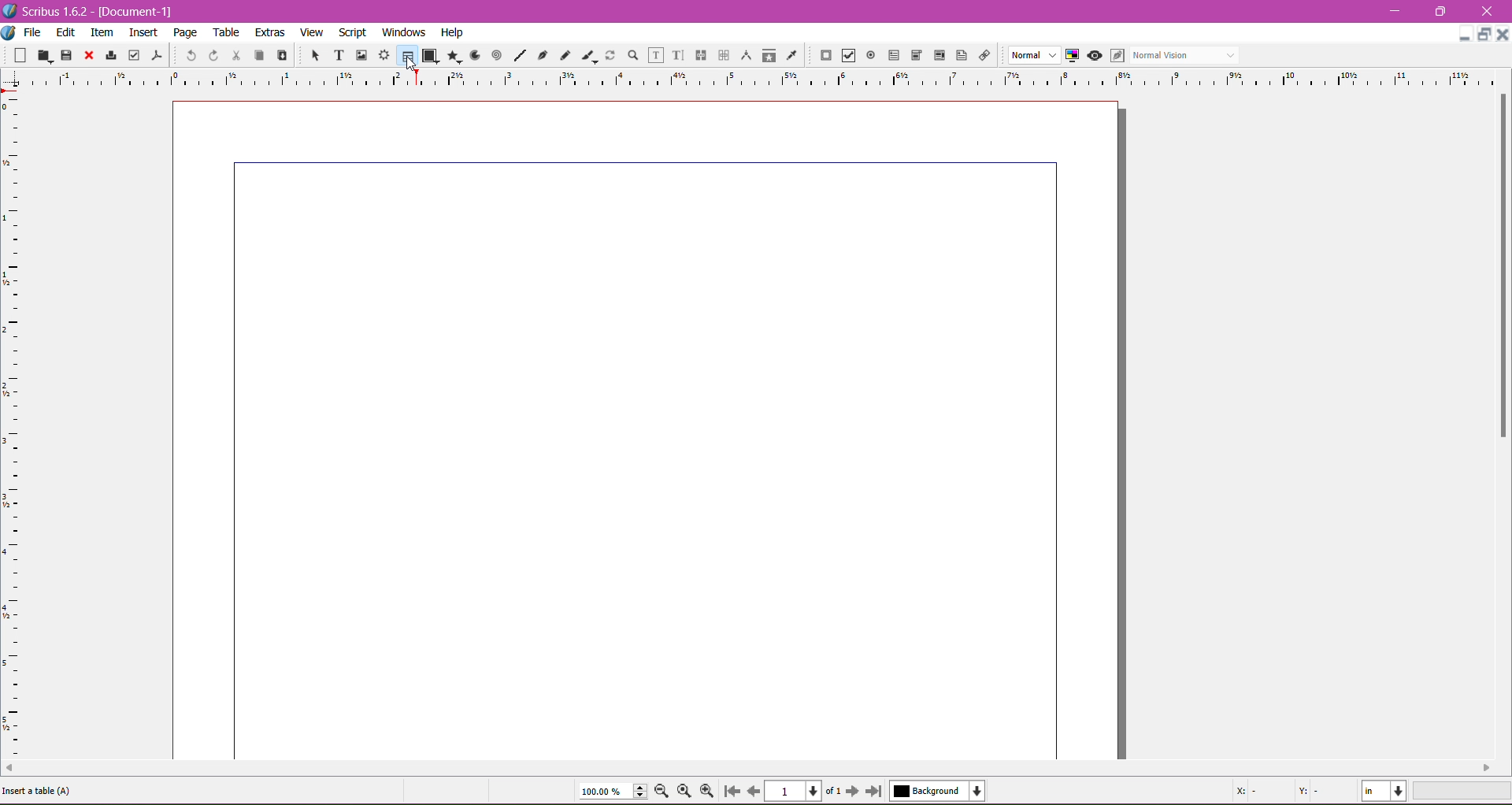  Describe the element at coordinates (46, 54) in the screenshot. I see `Open` at that location.